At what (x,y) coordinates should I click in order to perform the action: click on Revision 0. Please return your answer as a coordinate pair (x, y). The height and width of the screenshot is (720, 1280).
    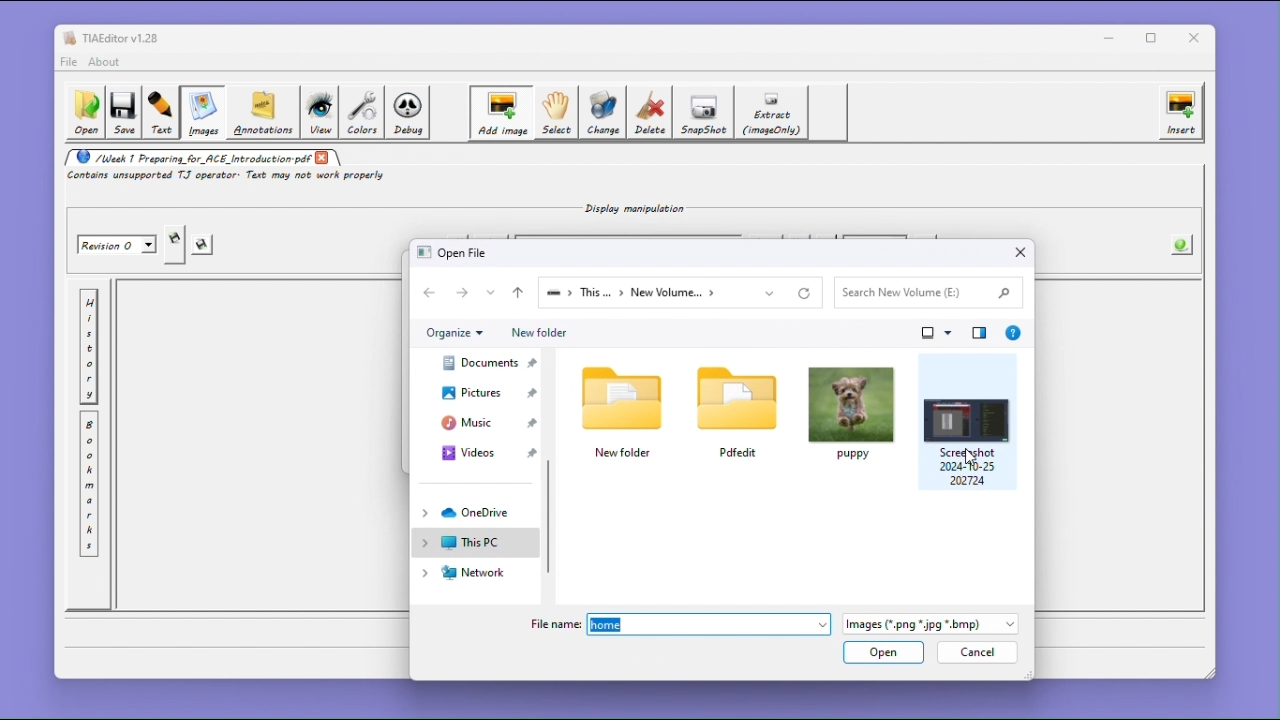
    Looking at the image, I should click on (118, 245).